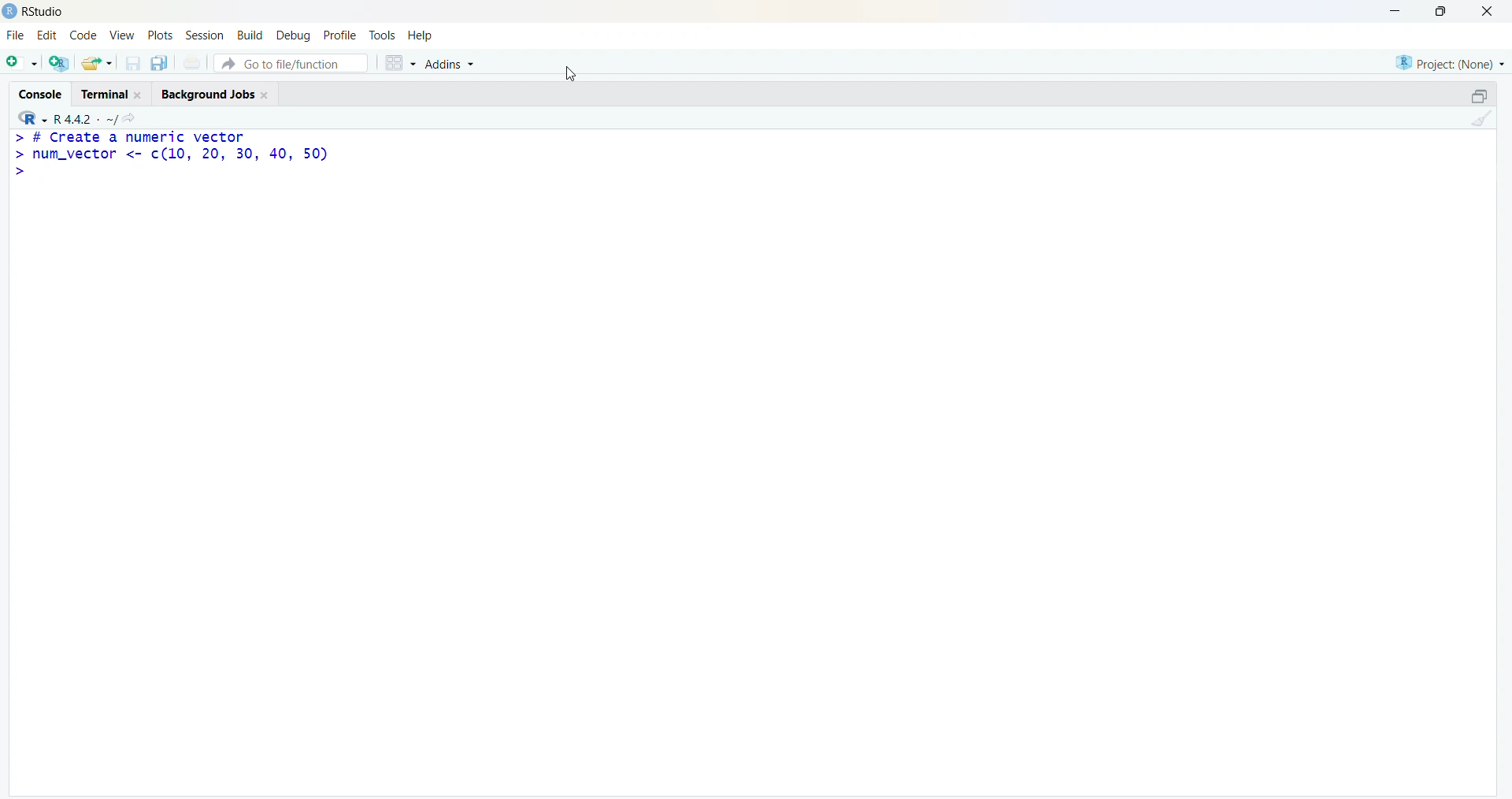 This screenshot has height=799, width=1512. Describe the element at coordinates (342, 35) in the screenshot. I see `profile` at that location.